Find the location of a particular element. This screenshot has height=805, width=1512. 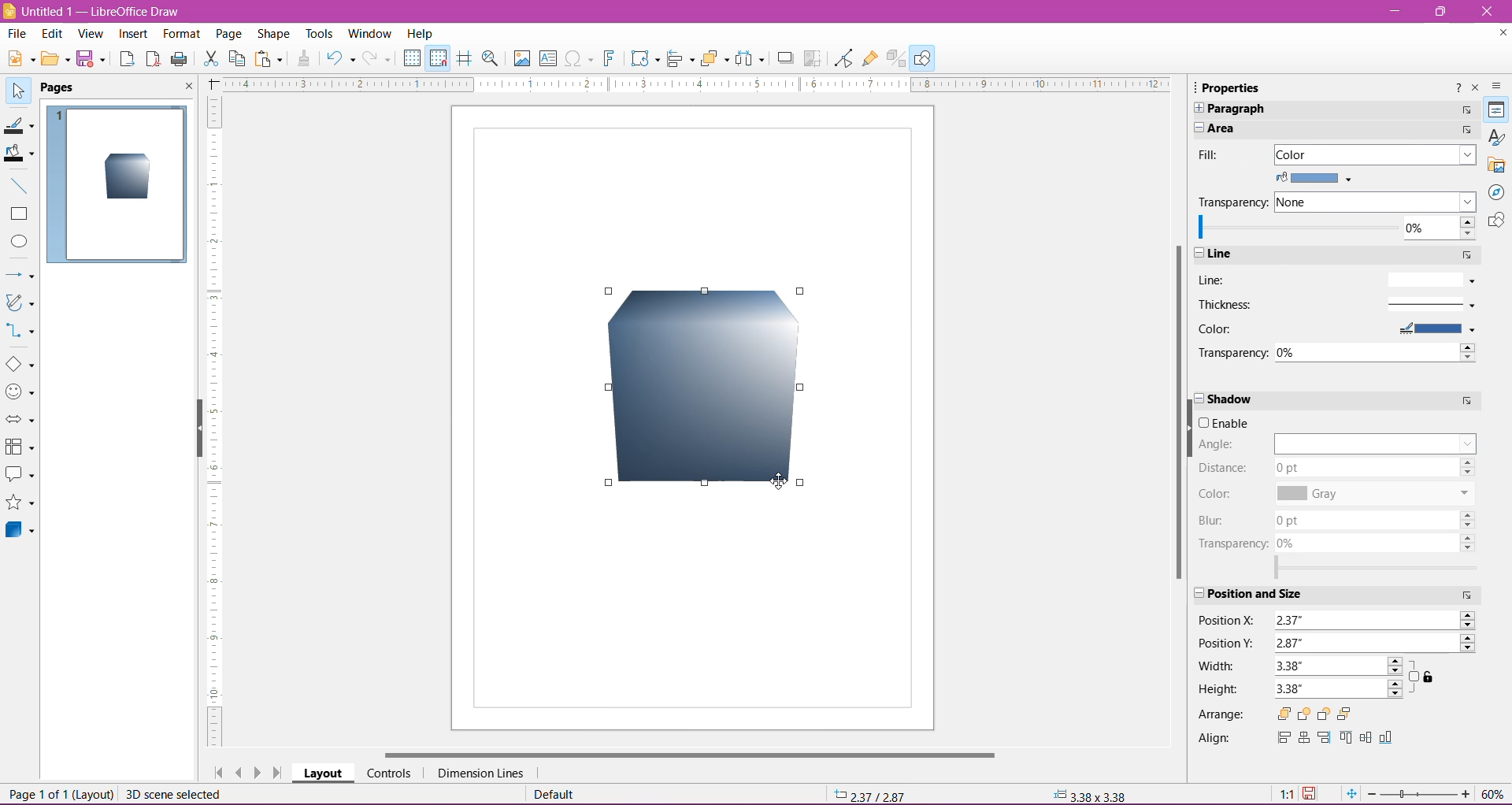

Enter the value for horizontal position is located at coordinates (1375, 621).